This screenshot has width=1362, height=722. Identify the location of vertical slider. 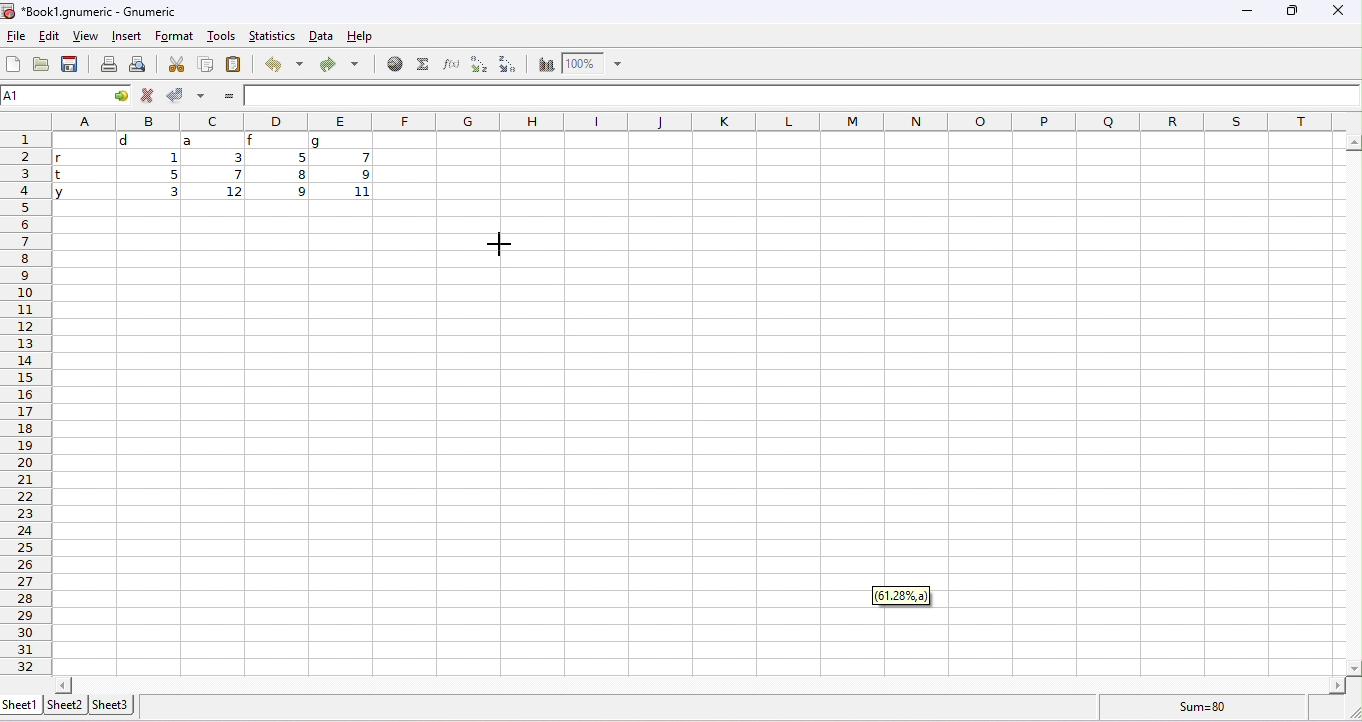
(1353, 403).